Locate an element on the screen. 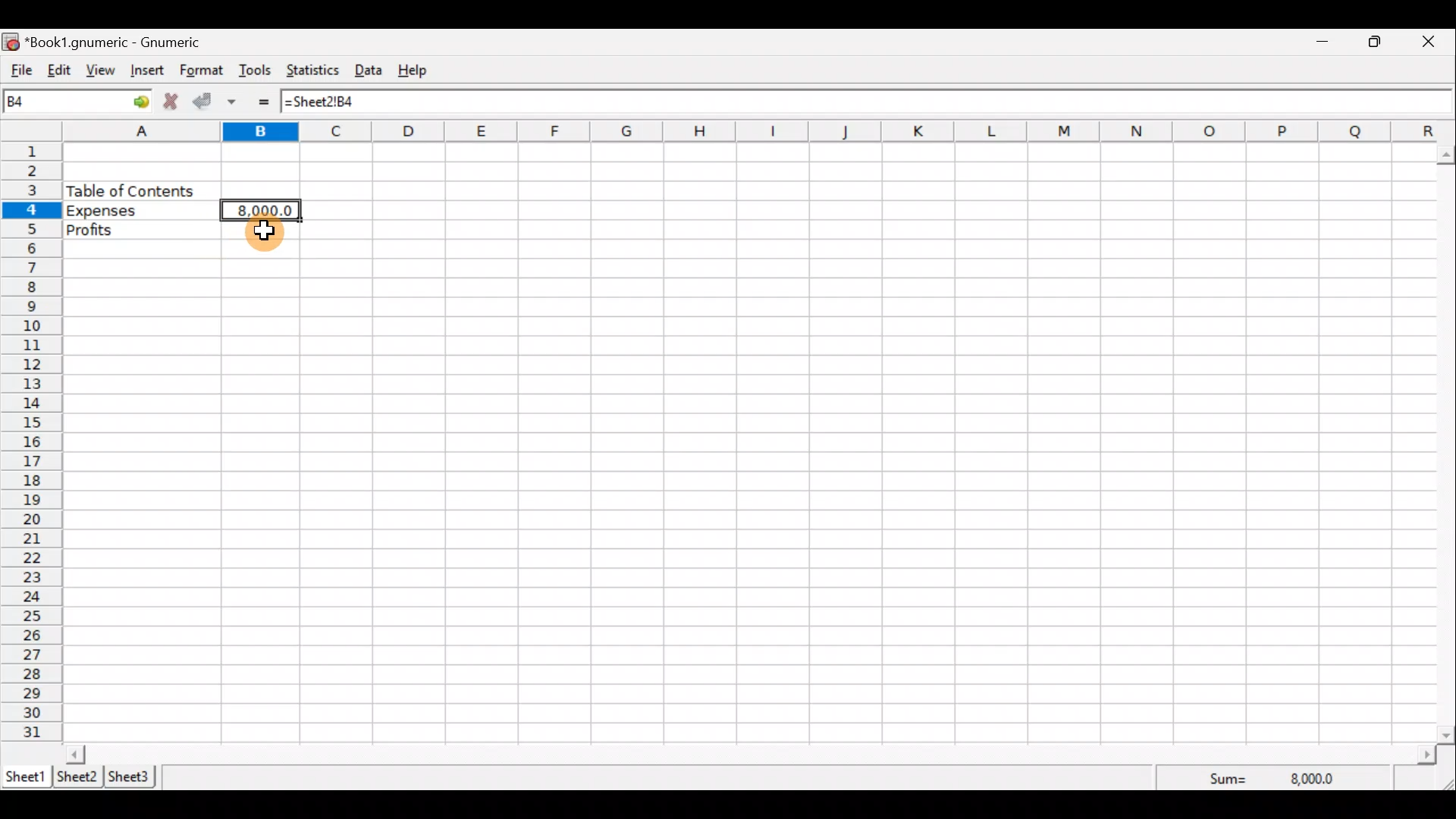 Image resolution: width=1456 pixels, height=819 pixels. File is located at coordinates (19, 71).